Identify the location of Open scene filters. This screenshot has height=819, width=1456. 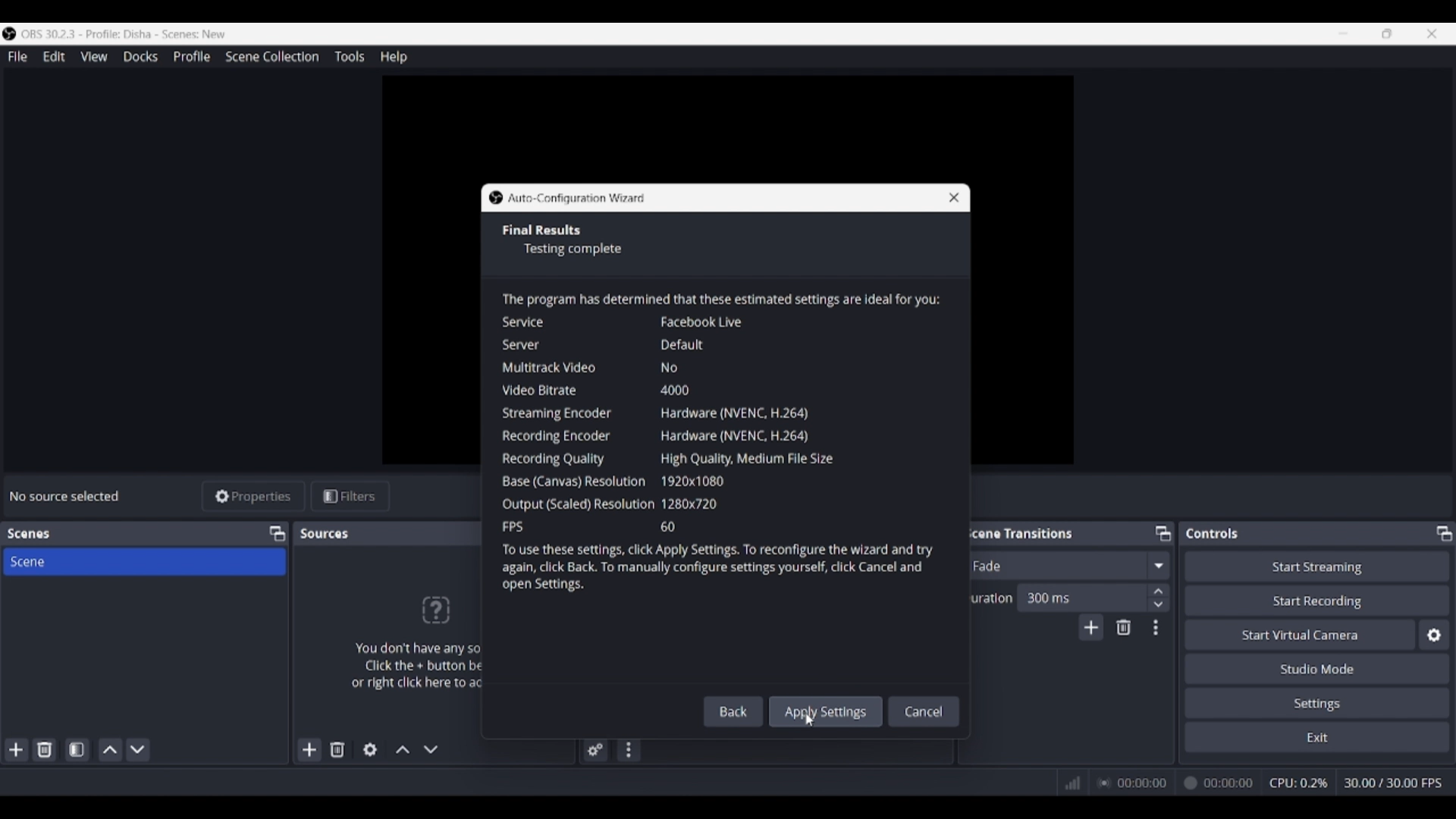
(77, 749).